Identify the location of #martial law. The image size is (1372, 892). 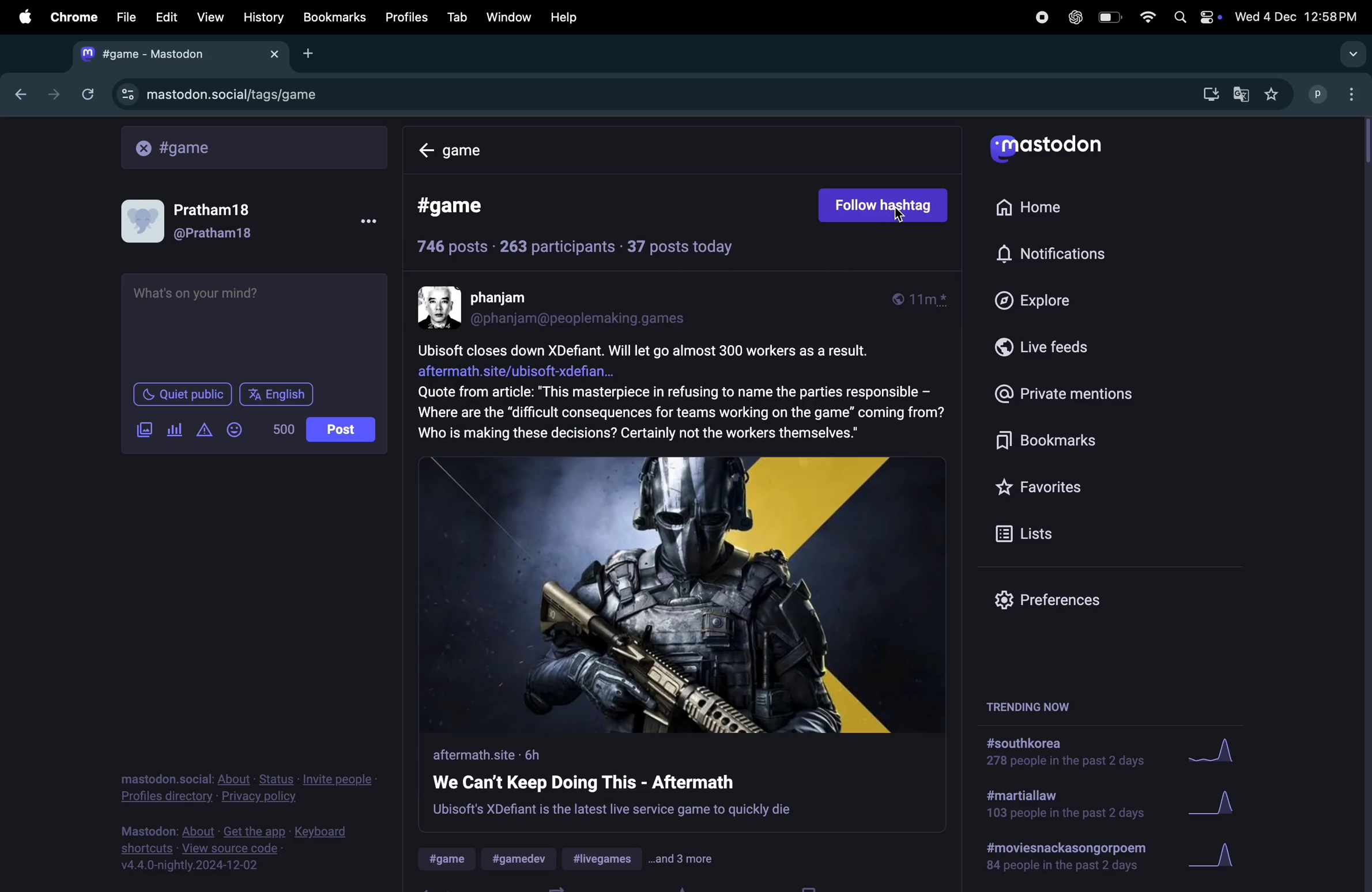
(1064, 807).